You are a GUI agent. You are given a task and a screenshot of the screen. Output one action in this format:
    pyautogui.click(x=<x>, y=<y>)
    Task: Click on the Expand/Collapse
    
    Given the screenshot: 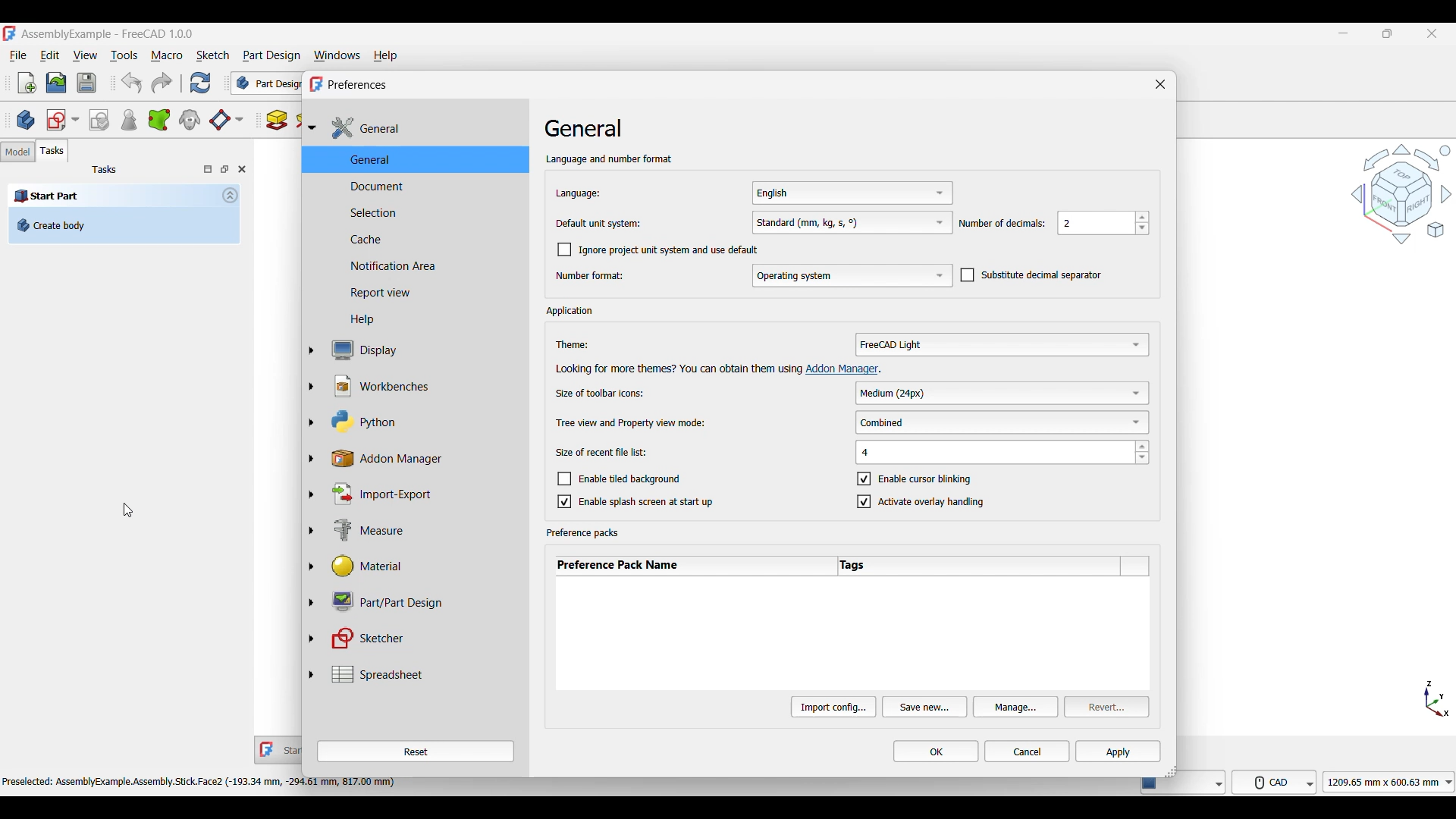 What is the action you would take?
    pyautogui.click(x=230, y=196)
    